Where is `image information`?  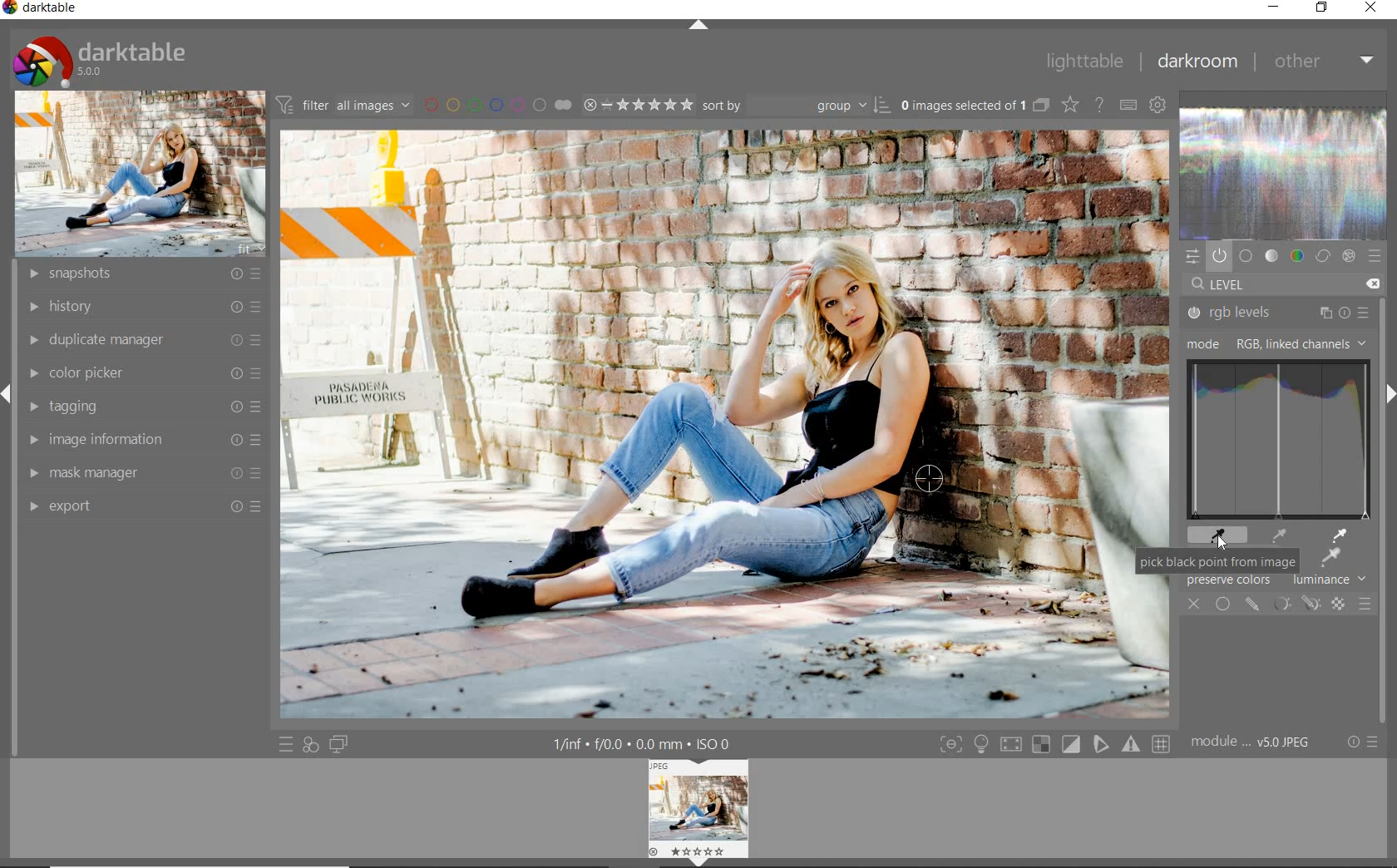 image information is located at coordinates (141, 441).